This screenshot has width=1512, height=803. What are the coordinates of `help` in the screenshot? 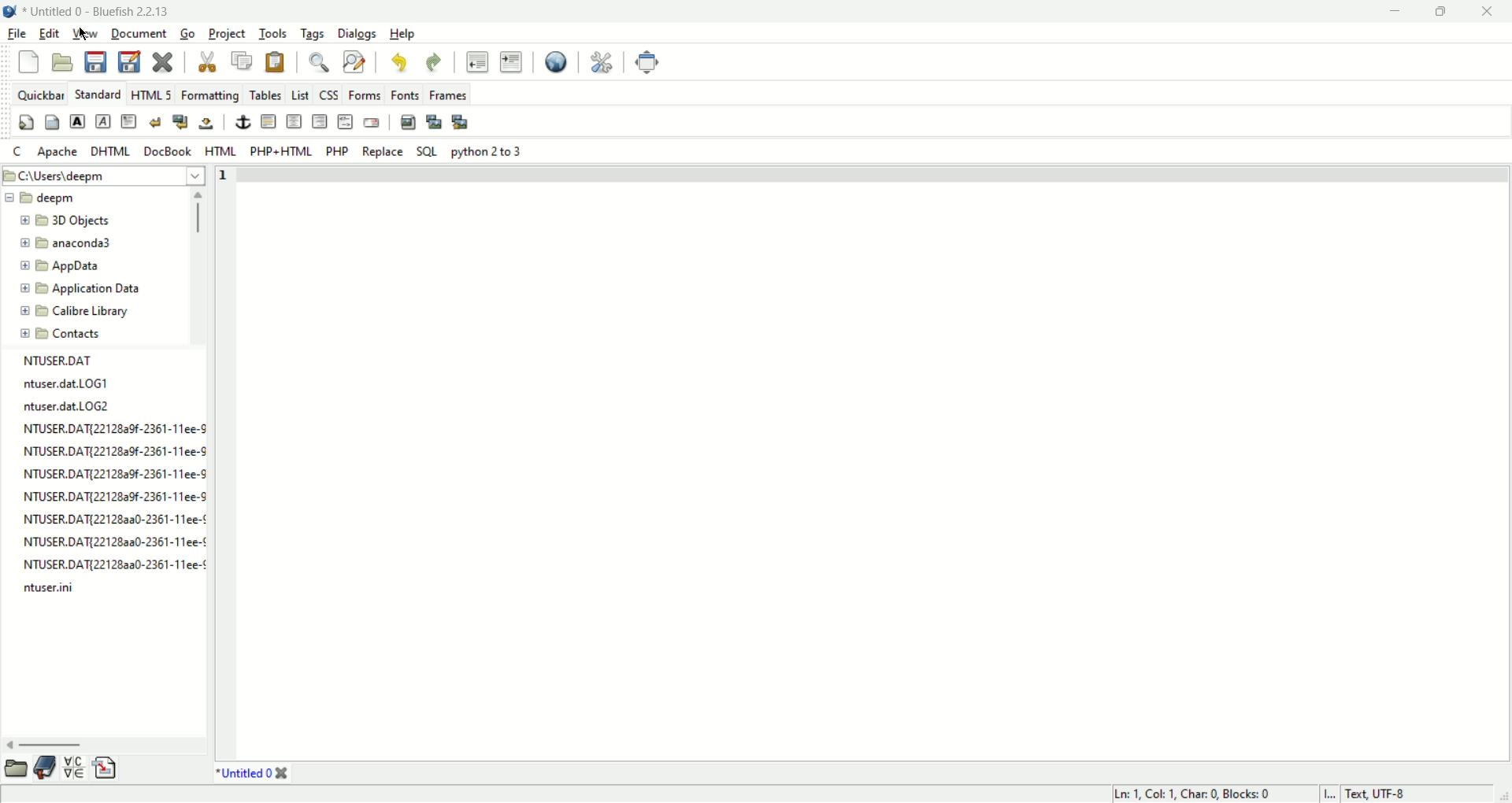 It's located at (402, 34).